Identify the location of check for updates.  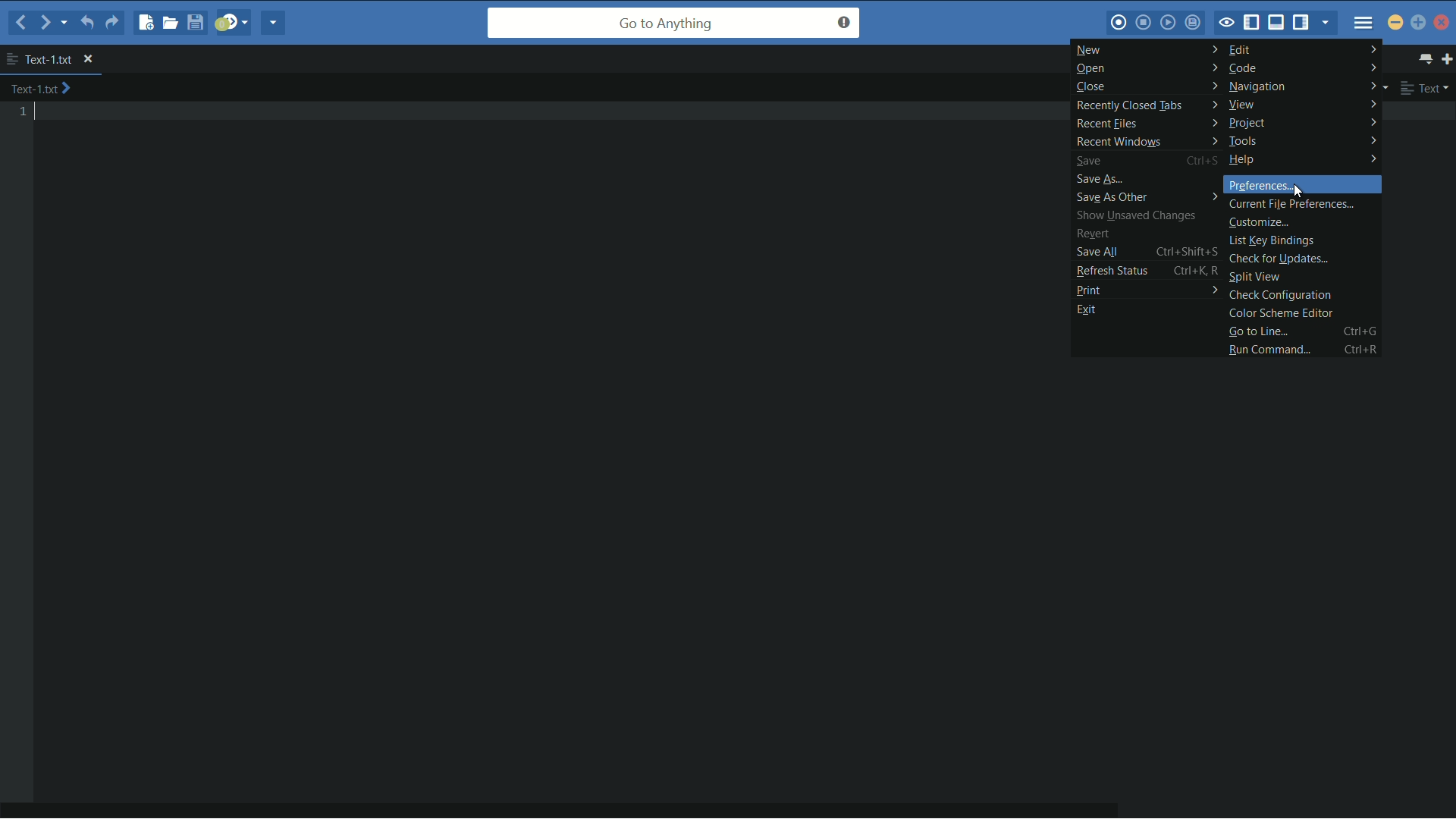
(1279, 259).